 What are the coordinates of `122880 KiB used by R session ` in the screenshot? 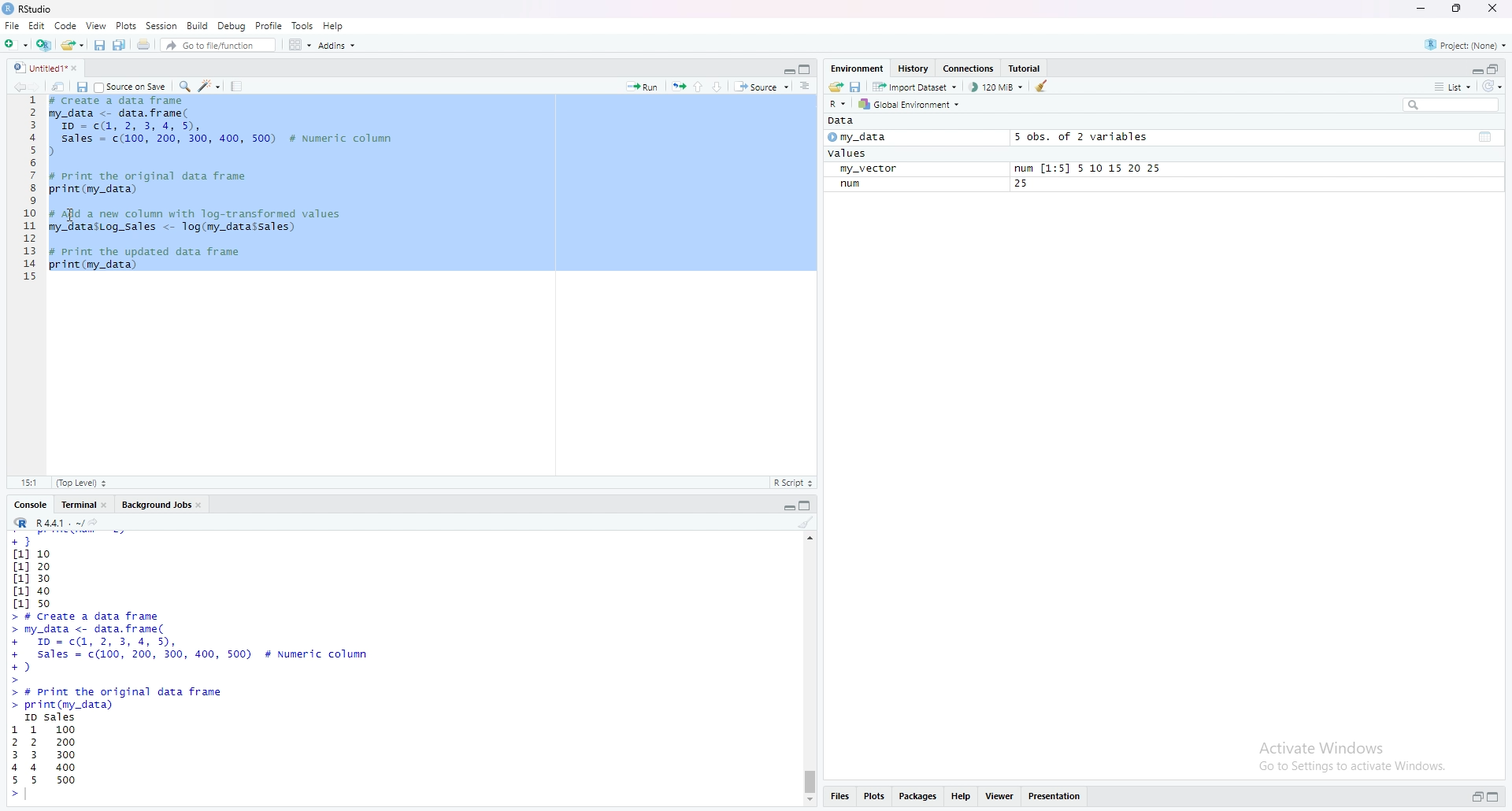 It's located at (997, 89).